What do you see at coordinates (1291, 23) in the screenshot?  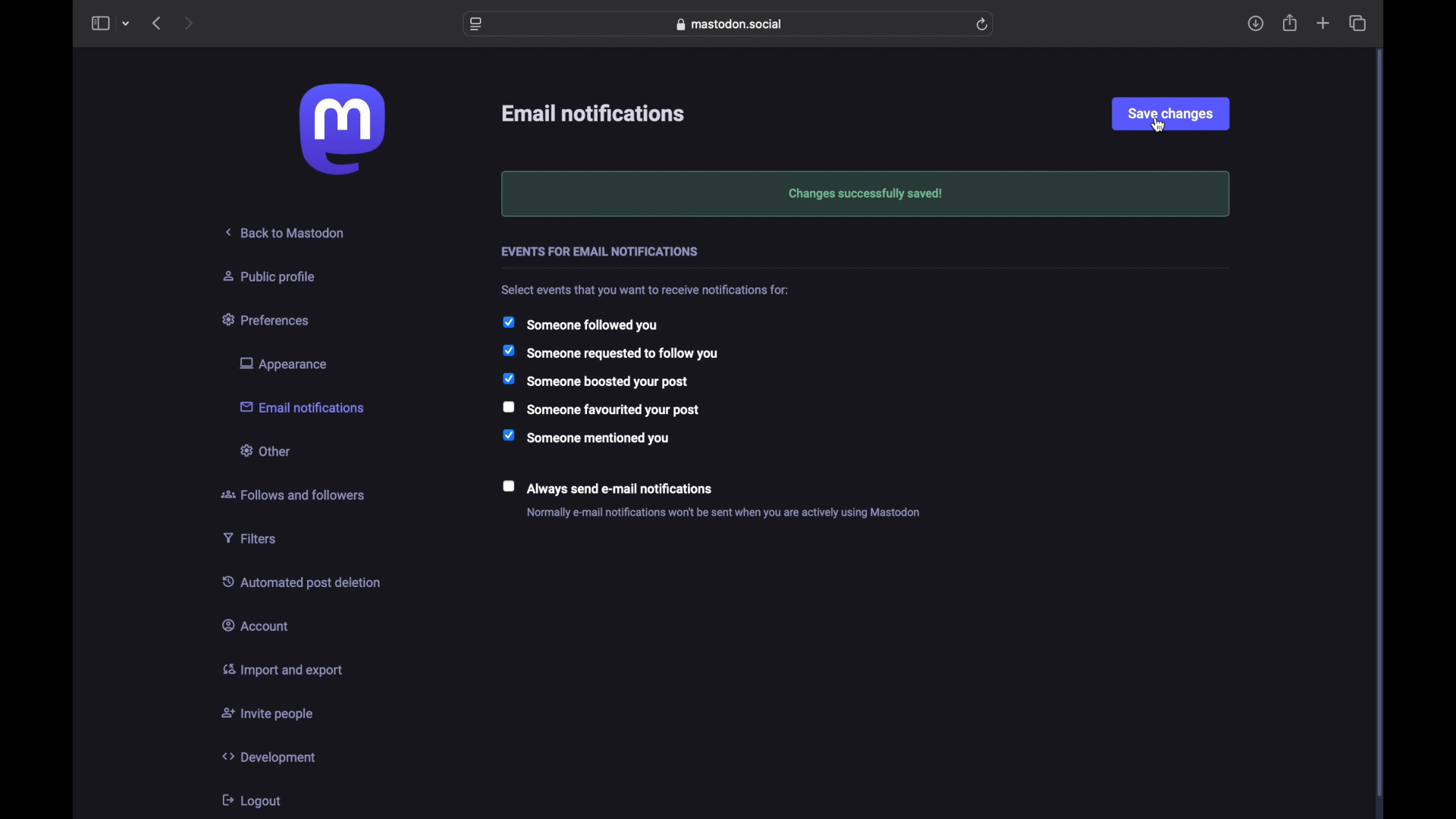 I see `share` at bounding box center [1291, 23].